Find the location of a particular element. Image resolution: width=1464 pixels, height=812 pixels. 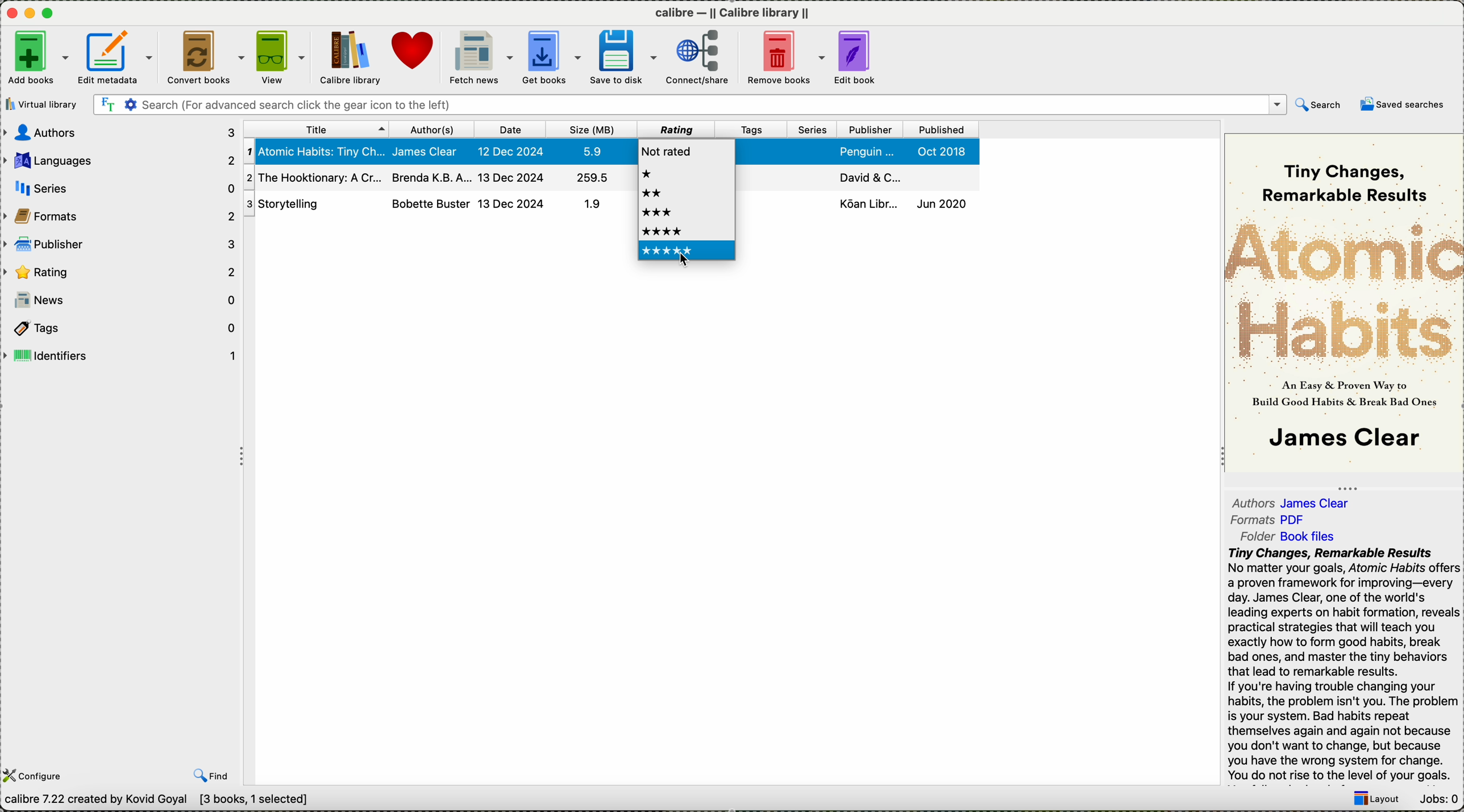

one star is located at coordinates (650, 173).